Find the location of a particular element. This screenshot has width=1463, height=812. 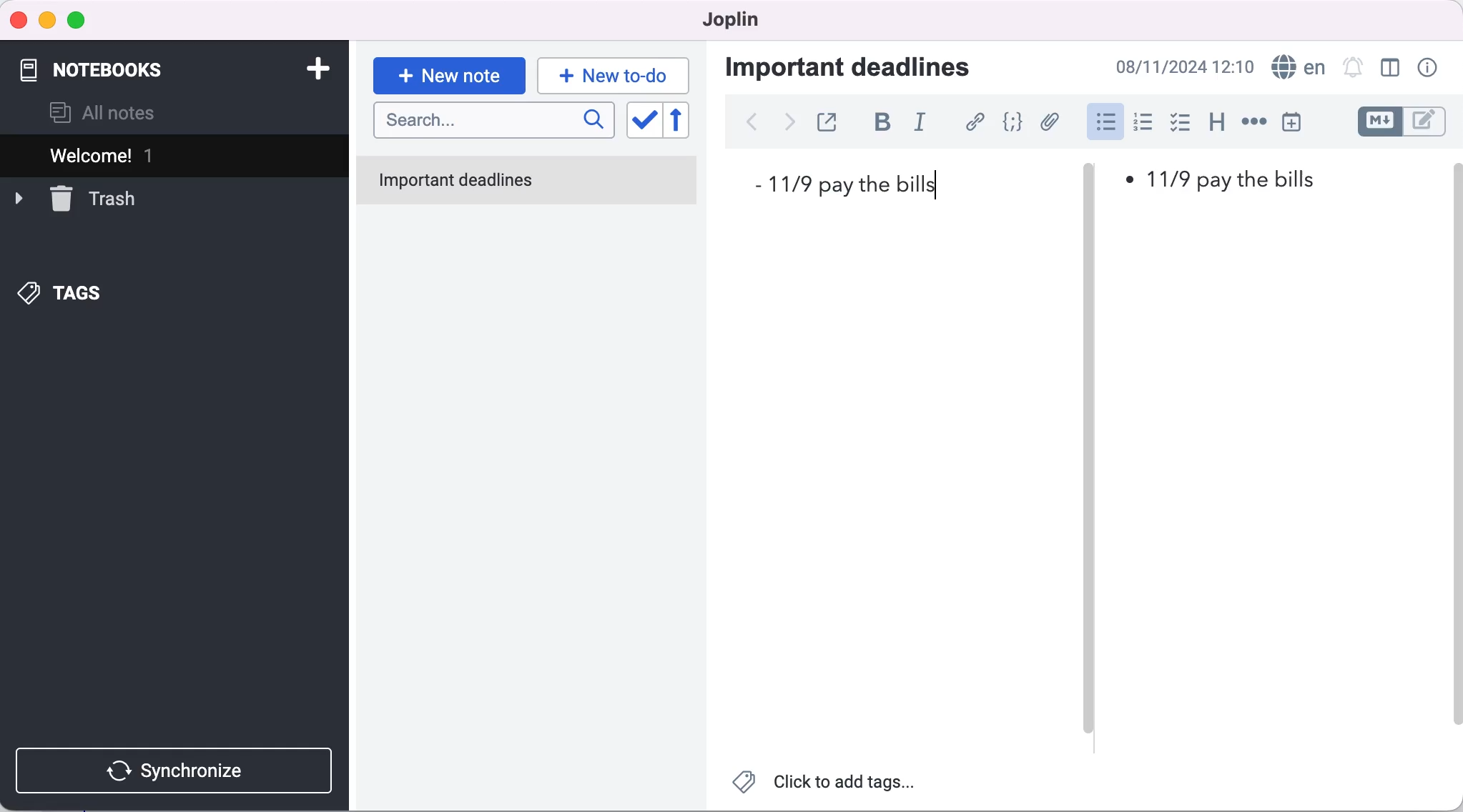

maximize is located at coordinates (81, 19).